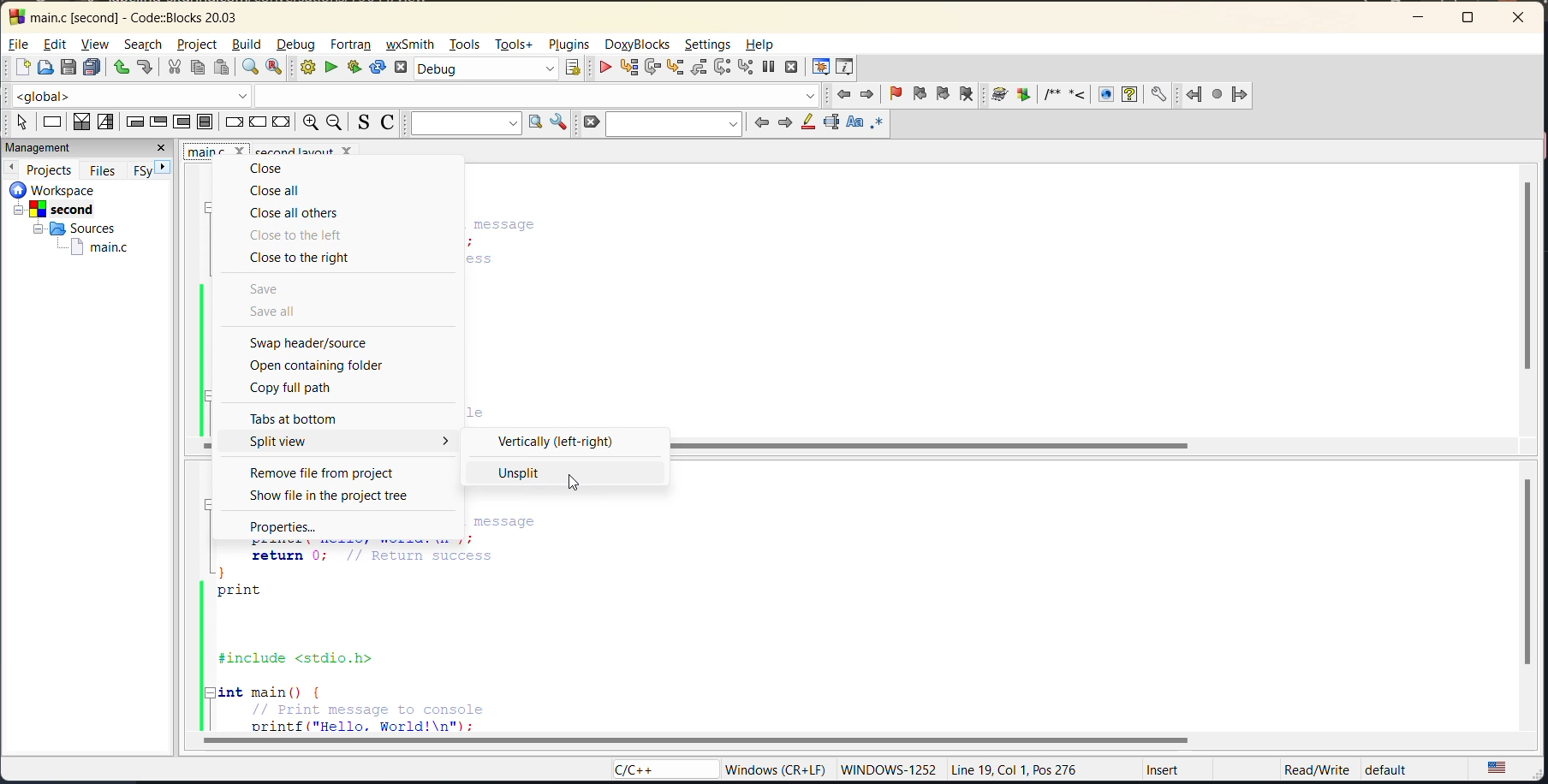 This screenshot has width=1548, height=784. What do you see at coordinates (867, 95) in the screenshot?
I see `jump forward` at bounding box center [867, 95].